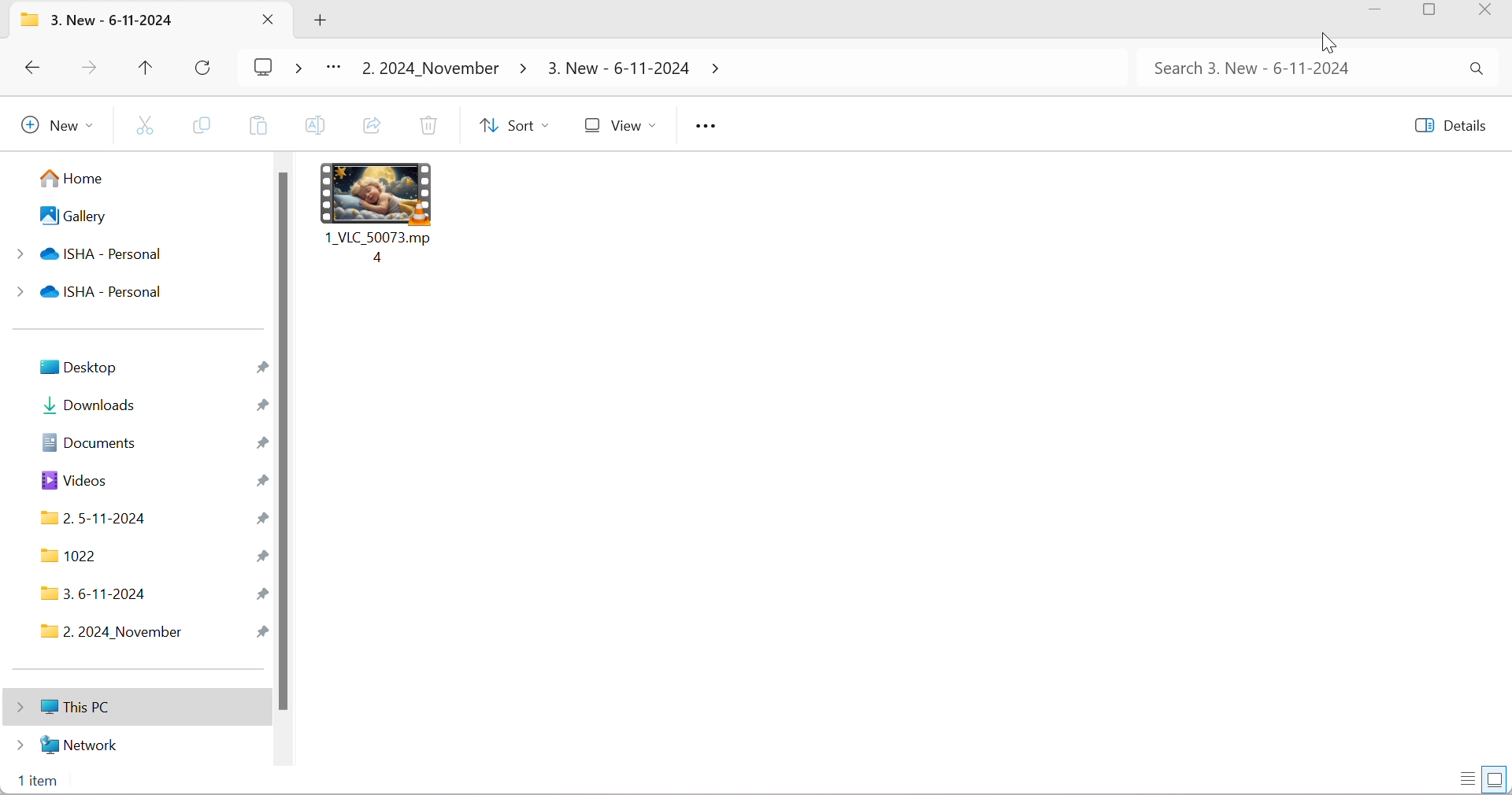 Image resolution: width=1512 pixels, height=795 pixels. What do you see at coordinates (147, 125) in the screenshot?
I see `Cut` at bounding box center [147, 125].